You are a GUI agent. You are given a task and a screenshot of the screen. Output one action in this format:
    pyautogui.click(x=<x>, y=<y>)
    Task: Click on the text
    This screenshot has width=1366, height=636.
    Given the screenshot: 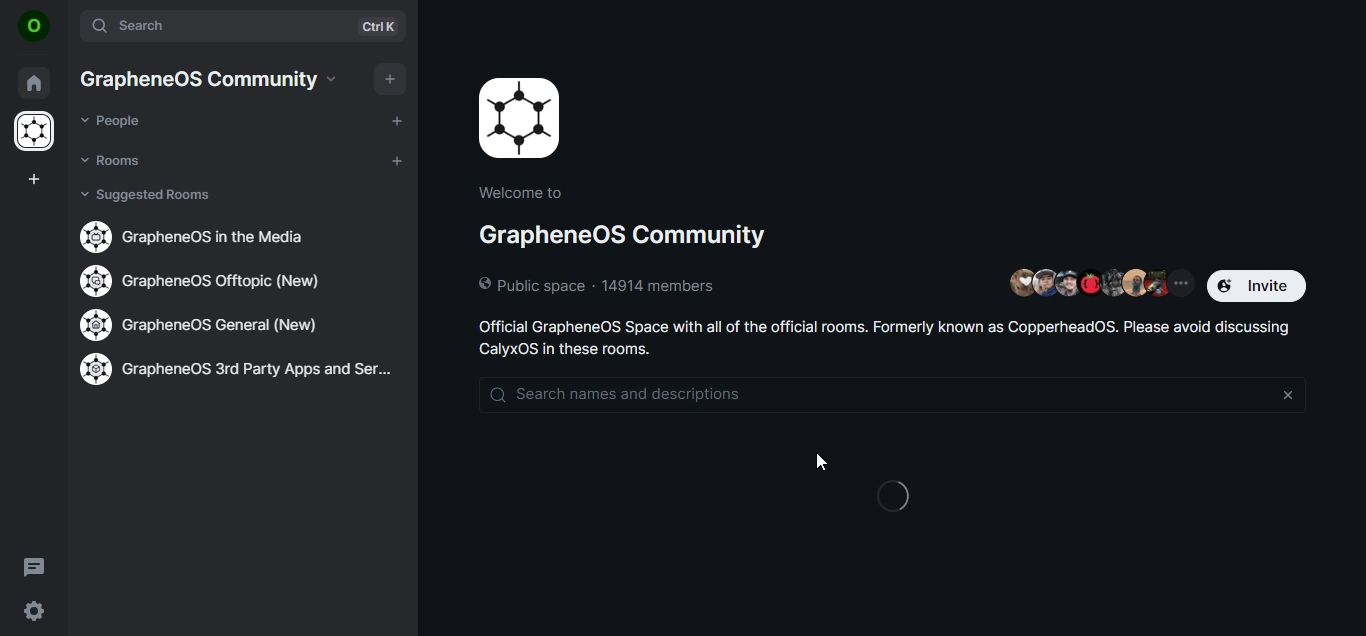 What is the action you would take?
    pyautogui.click(x=210, y=79)
    